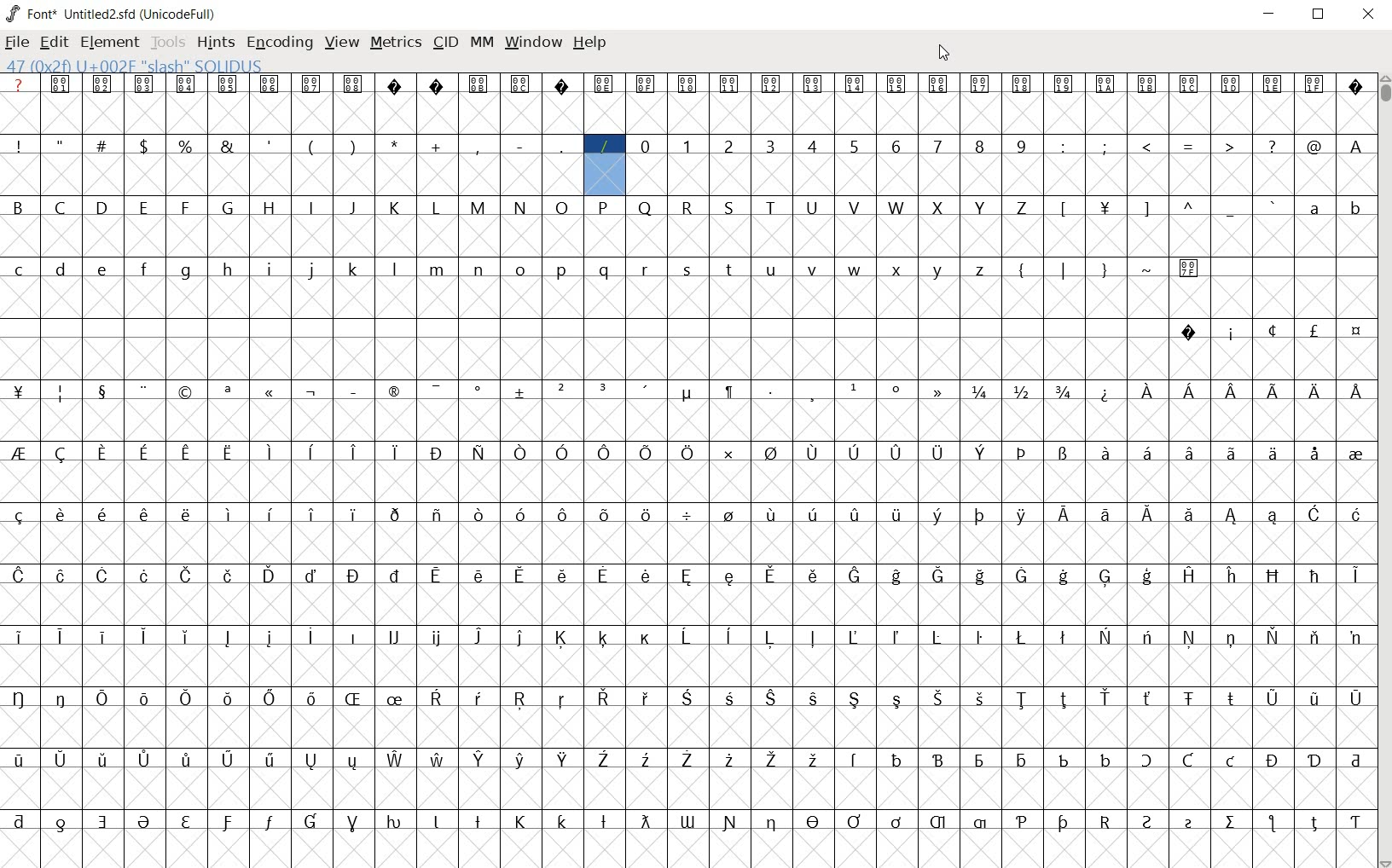 This screenshot has width=1392, height=868. I want to click on glyph, so click(1020, 208).